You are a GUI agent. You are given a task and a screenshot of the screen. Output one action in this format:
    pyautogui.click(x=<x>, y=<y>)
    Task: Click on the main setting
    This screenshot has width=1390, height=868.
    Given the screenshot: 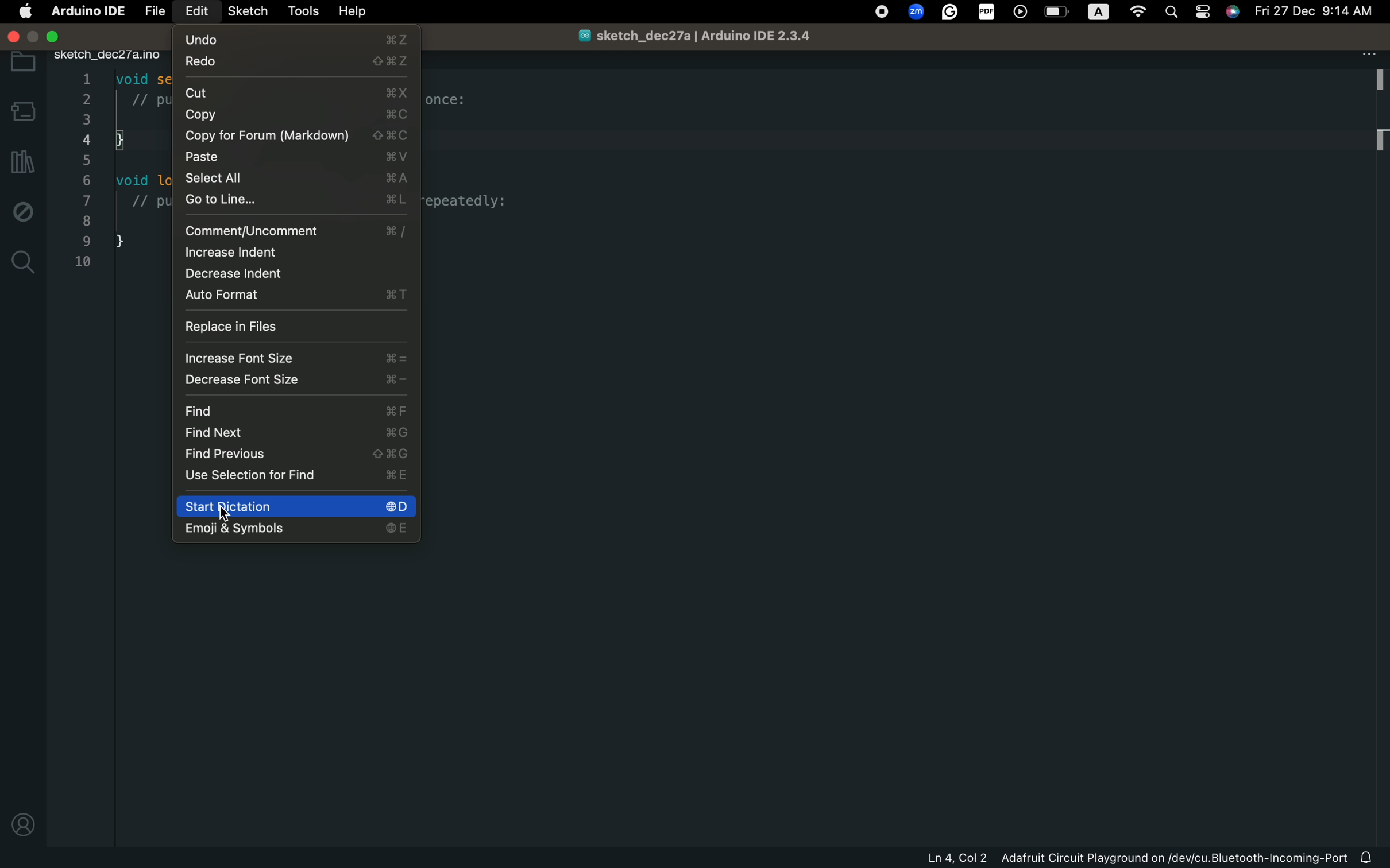 What is the action you would take?
    pyautogui.click(x=23, y=13)
    